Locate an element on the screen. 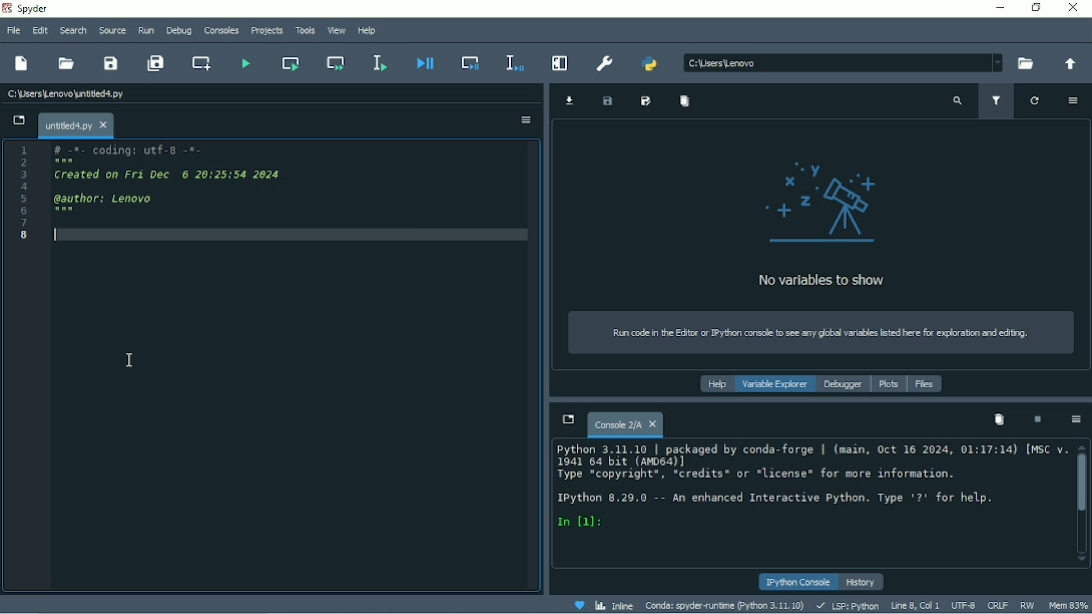 The height and width of the screenshot is (614, 1092). Open file is located at coordinates (66, 64).